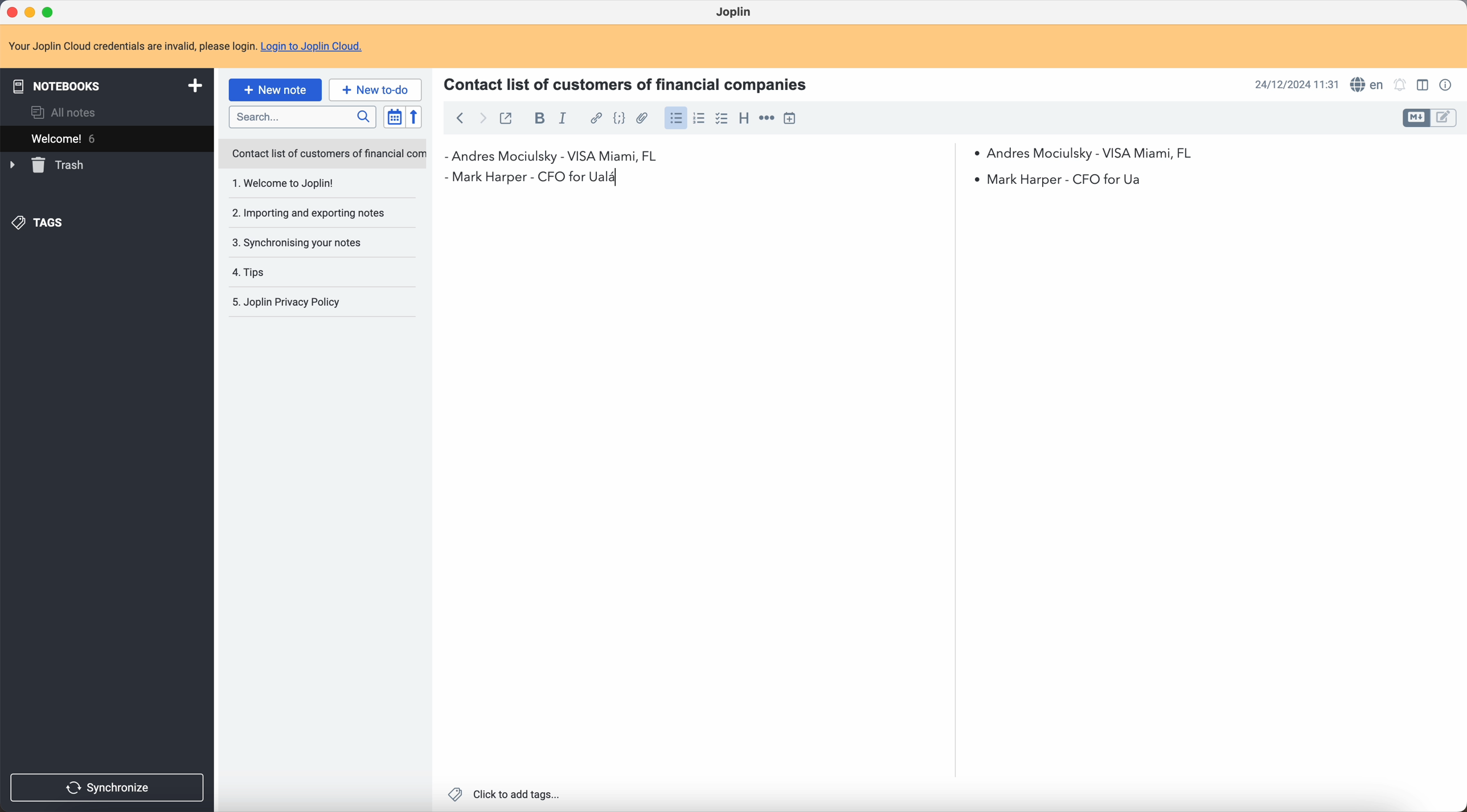 Image resolution: width=1467 pixels, height=812 pixels. I want to click on tags, so click(40, 223).